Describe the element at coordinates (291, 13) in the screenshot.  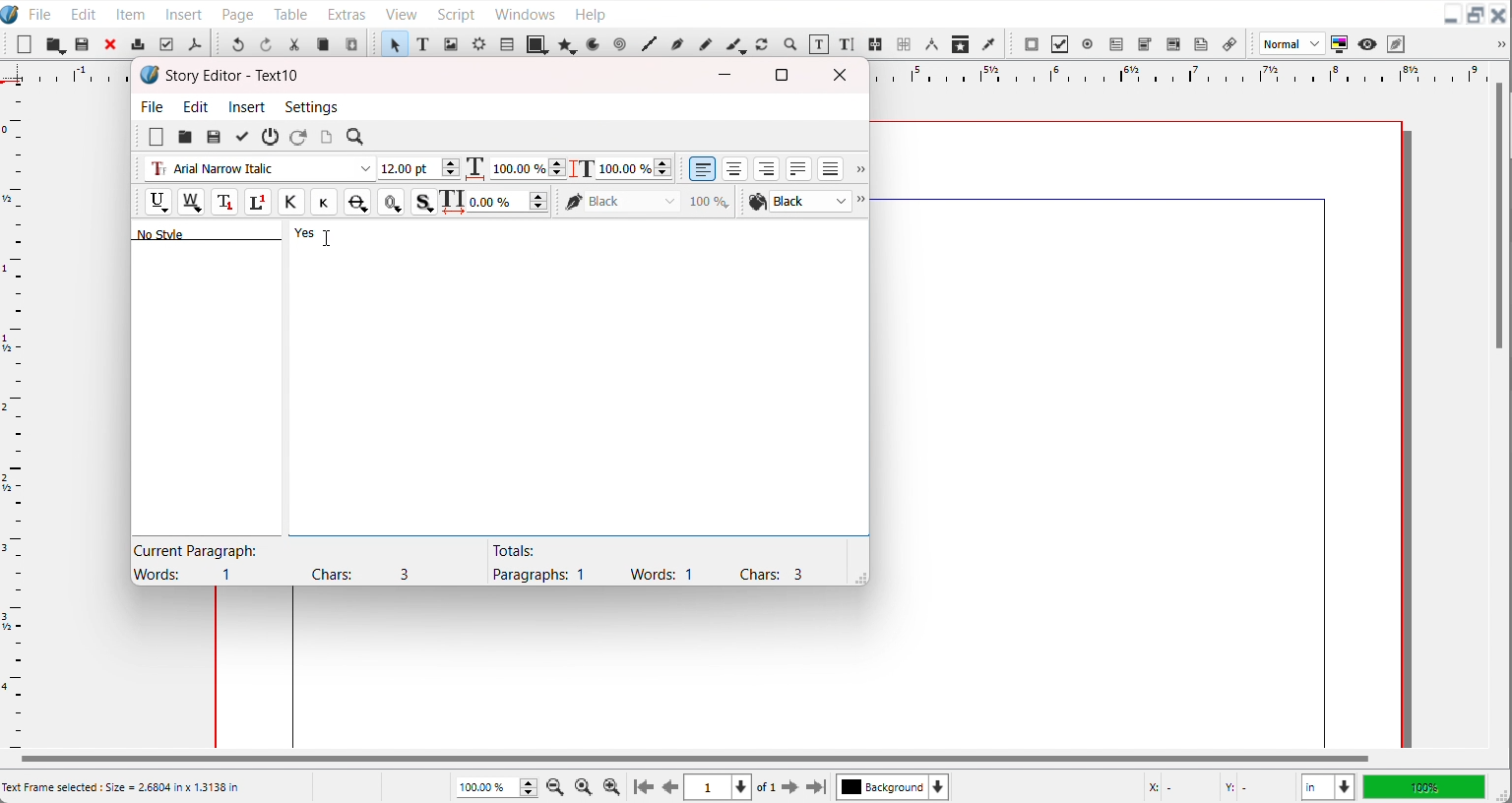
I see `Table` at that location.